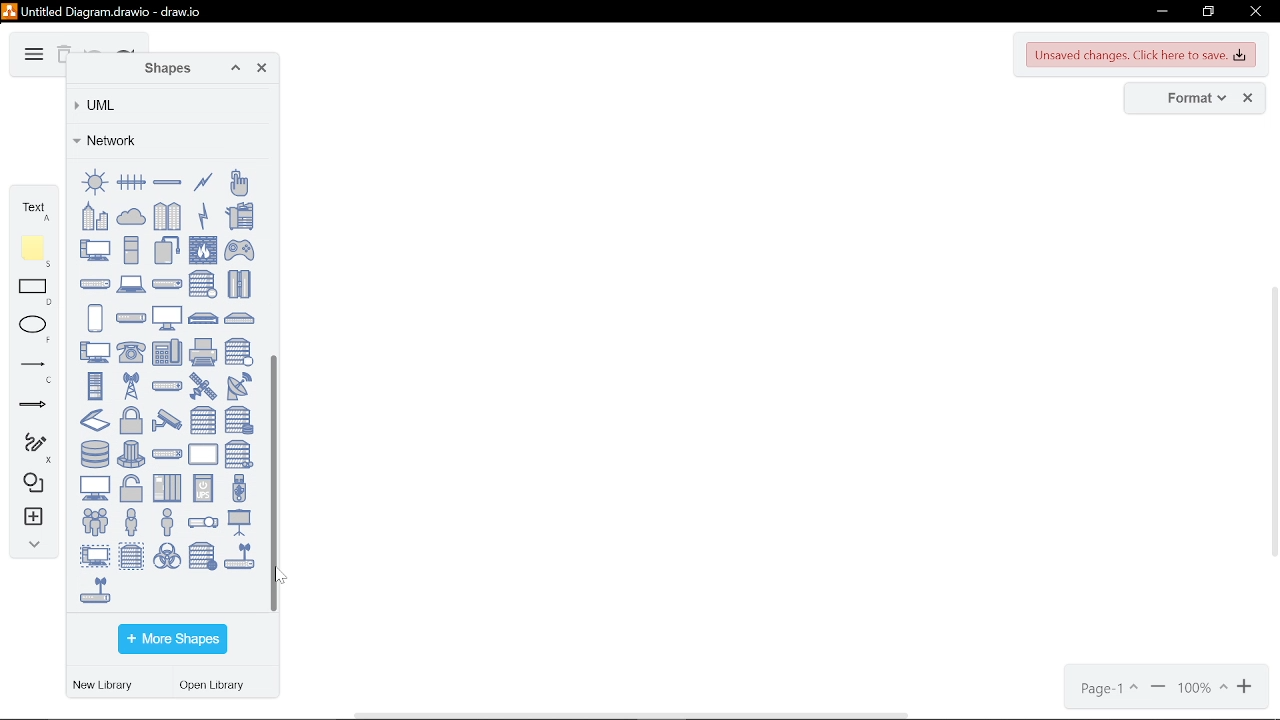  What do you see at coordinates (131, 454) in the screenshot?
I see `supercomputer` at bounding box center [131, 454].